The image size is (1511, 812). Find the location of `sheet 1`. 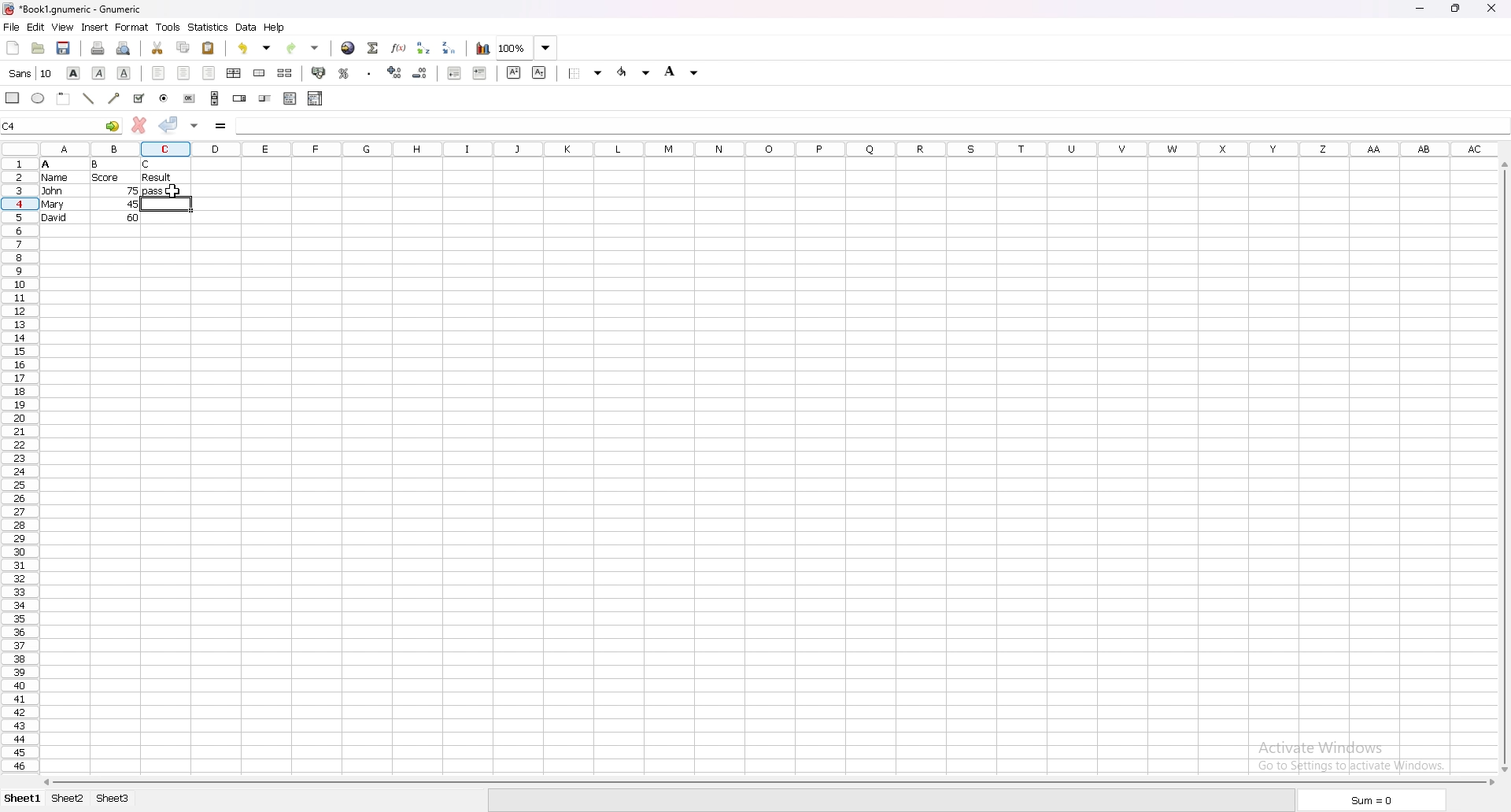

sheet 1 is located at coordinates (20, 800).